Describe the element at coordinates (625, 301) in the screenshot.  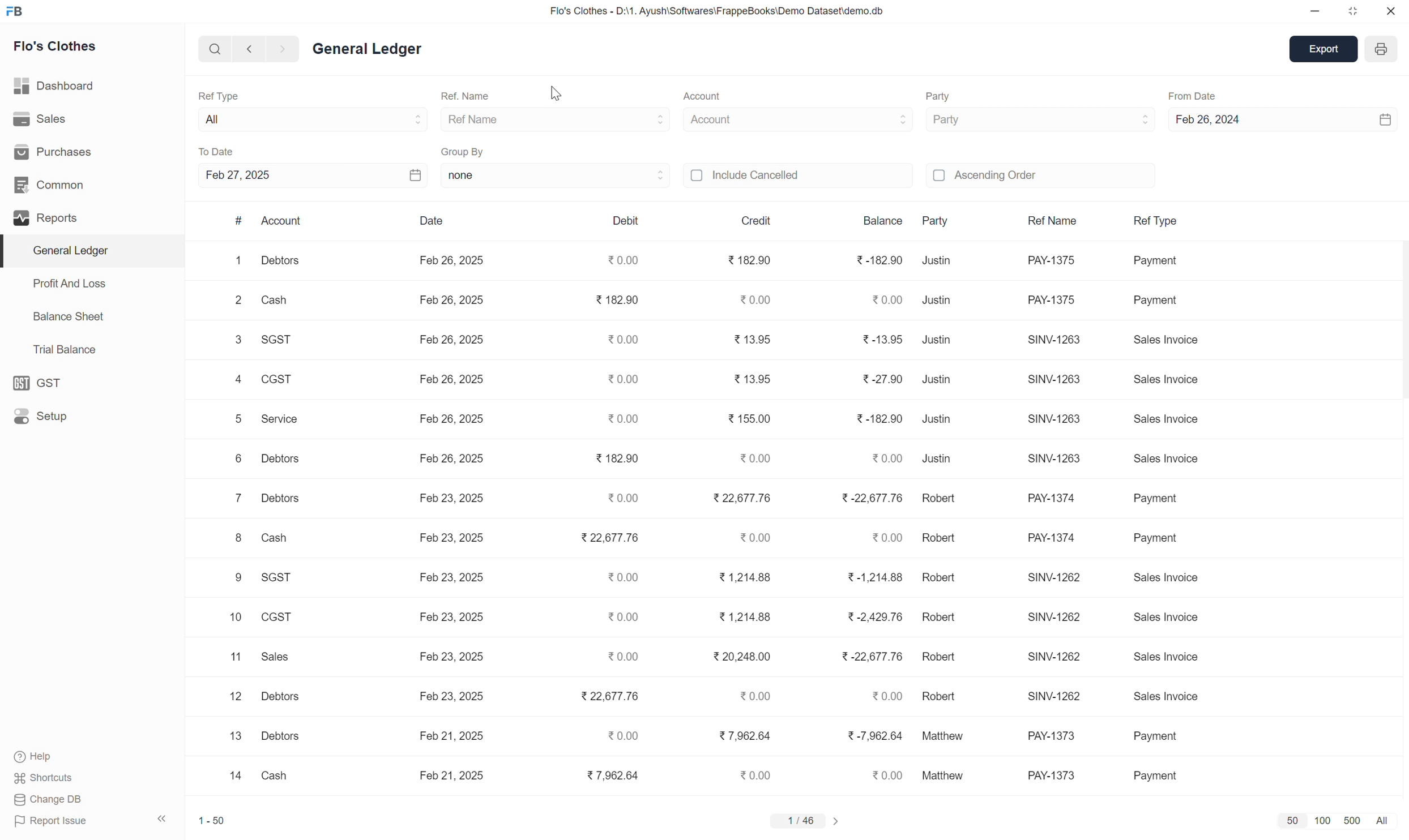
I see `182.90` at that location.